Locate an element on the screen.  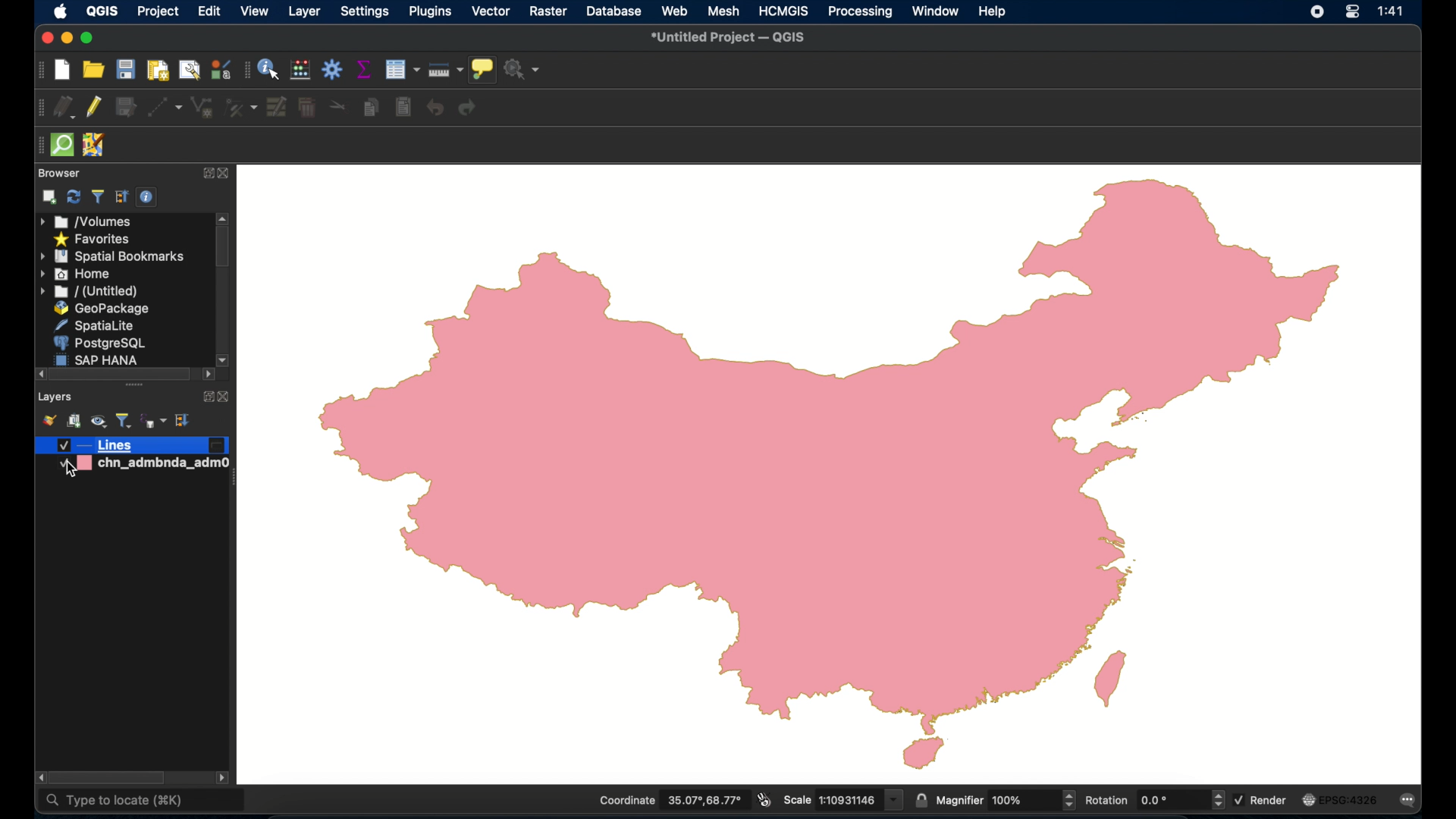
map is located at coordinates (830, 473).